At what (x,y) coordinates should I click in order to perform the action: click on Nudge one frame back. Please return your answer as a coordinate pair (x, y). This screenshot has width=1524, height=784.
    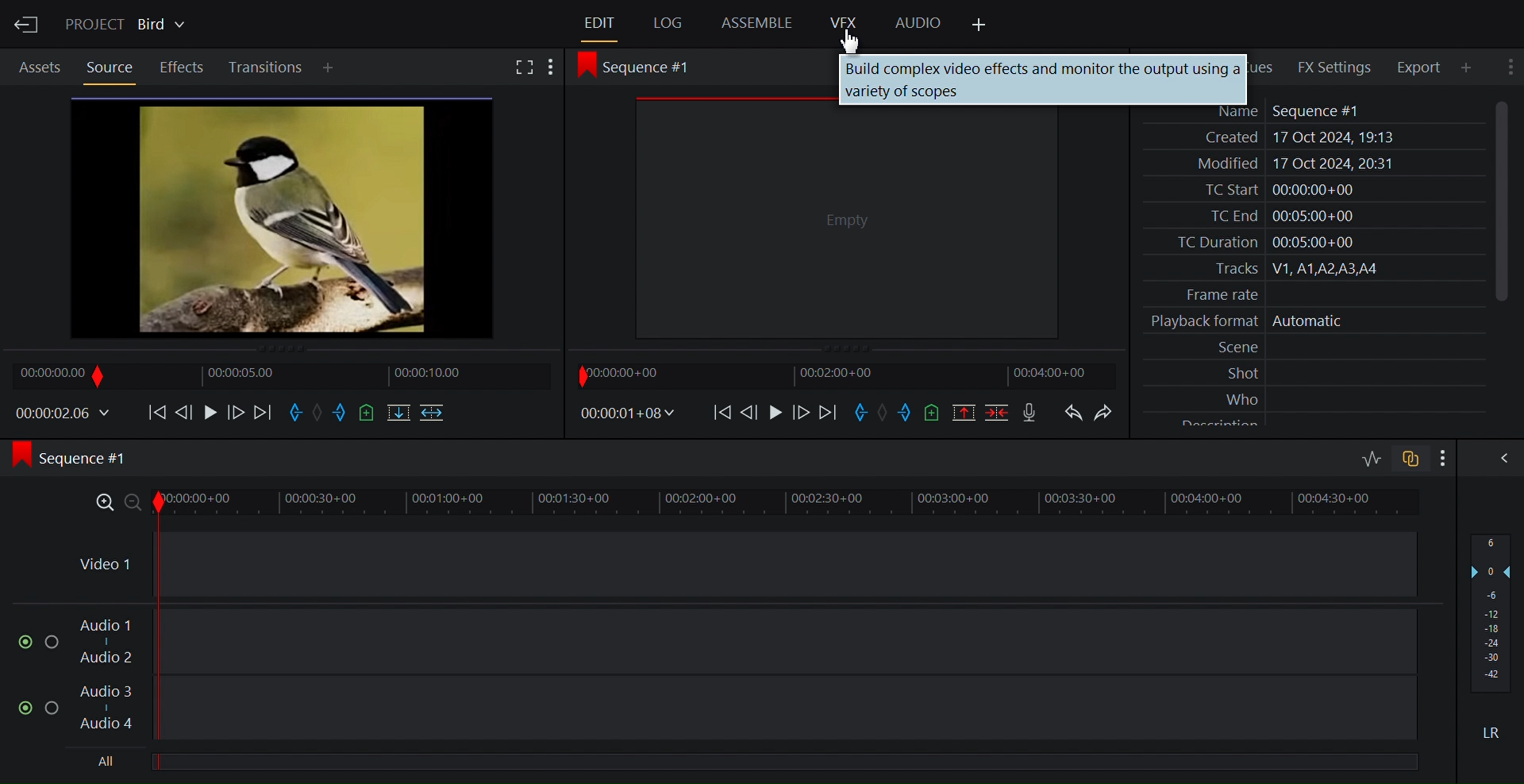
    Looking at the image, I should click on (185, 412).